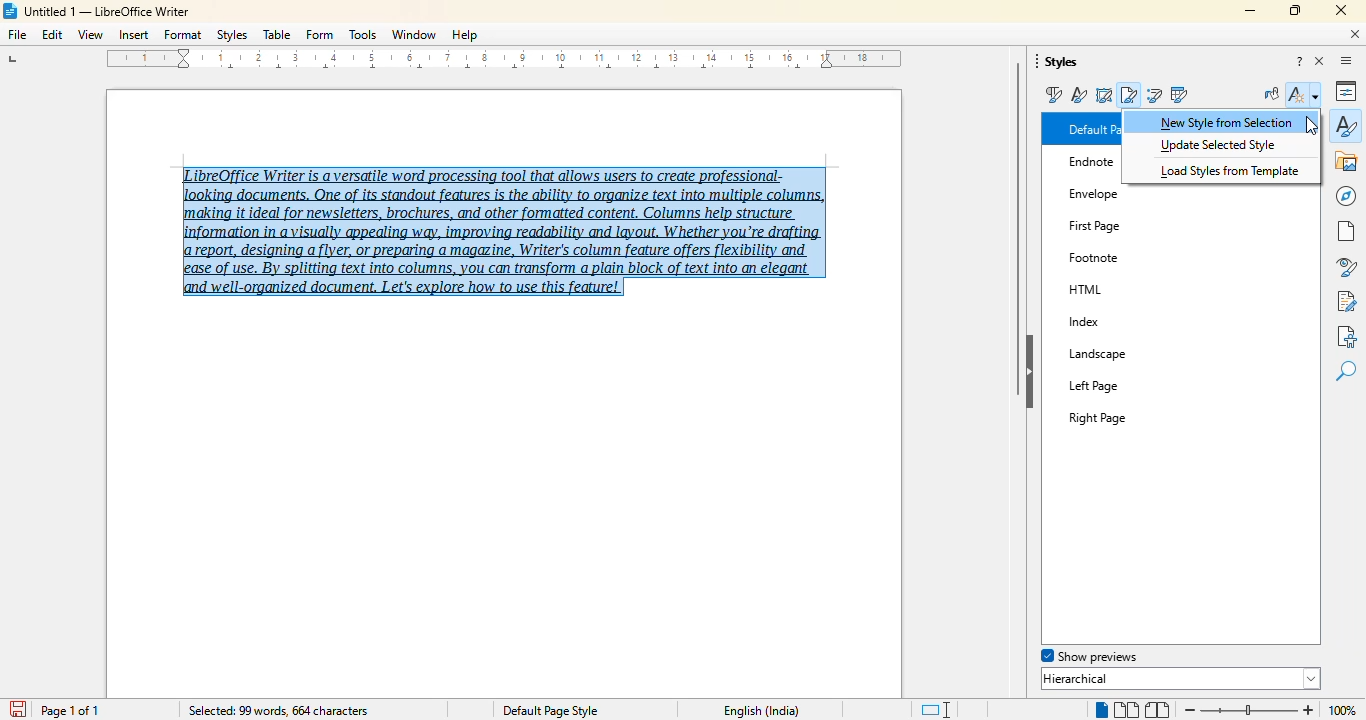 The height and width of the screenshot is (720, 1366). I want to click on paragraph styles, so click(1052, 95).